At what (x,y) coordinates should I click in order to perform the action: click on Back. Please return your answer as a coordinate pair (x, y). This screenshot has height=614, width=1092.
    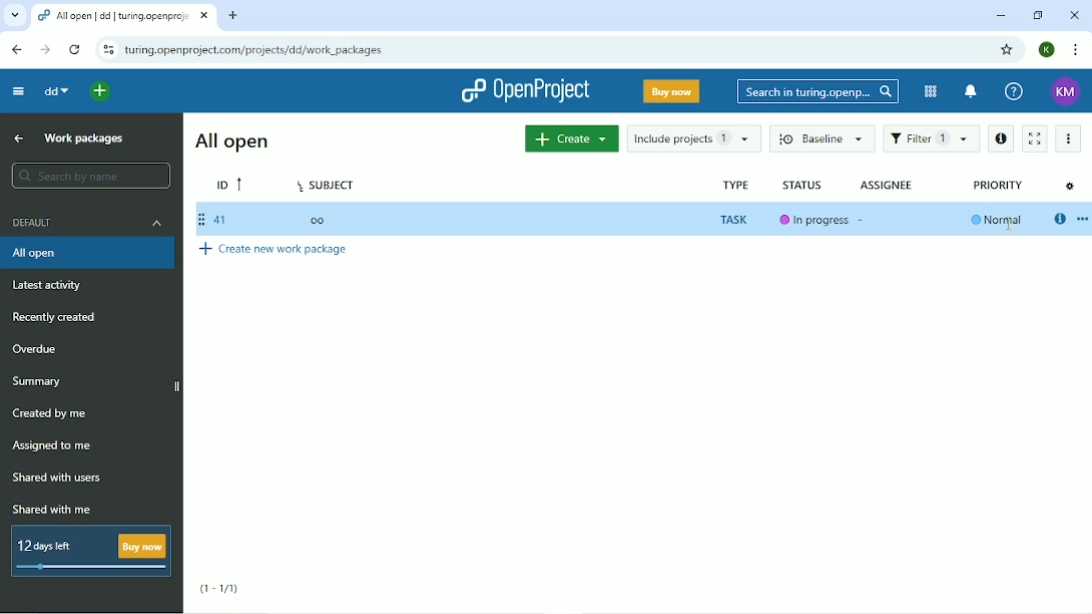
    Looking at the image, I should click on (16, 50).